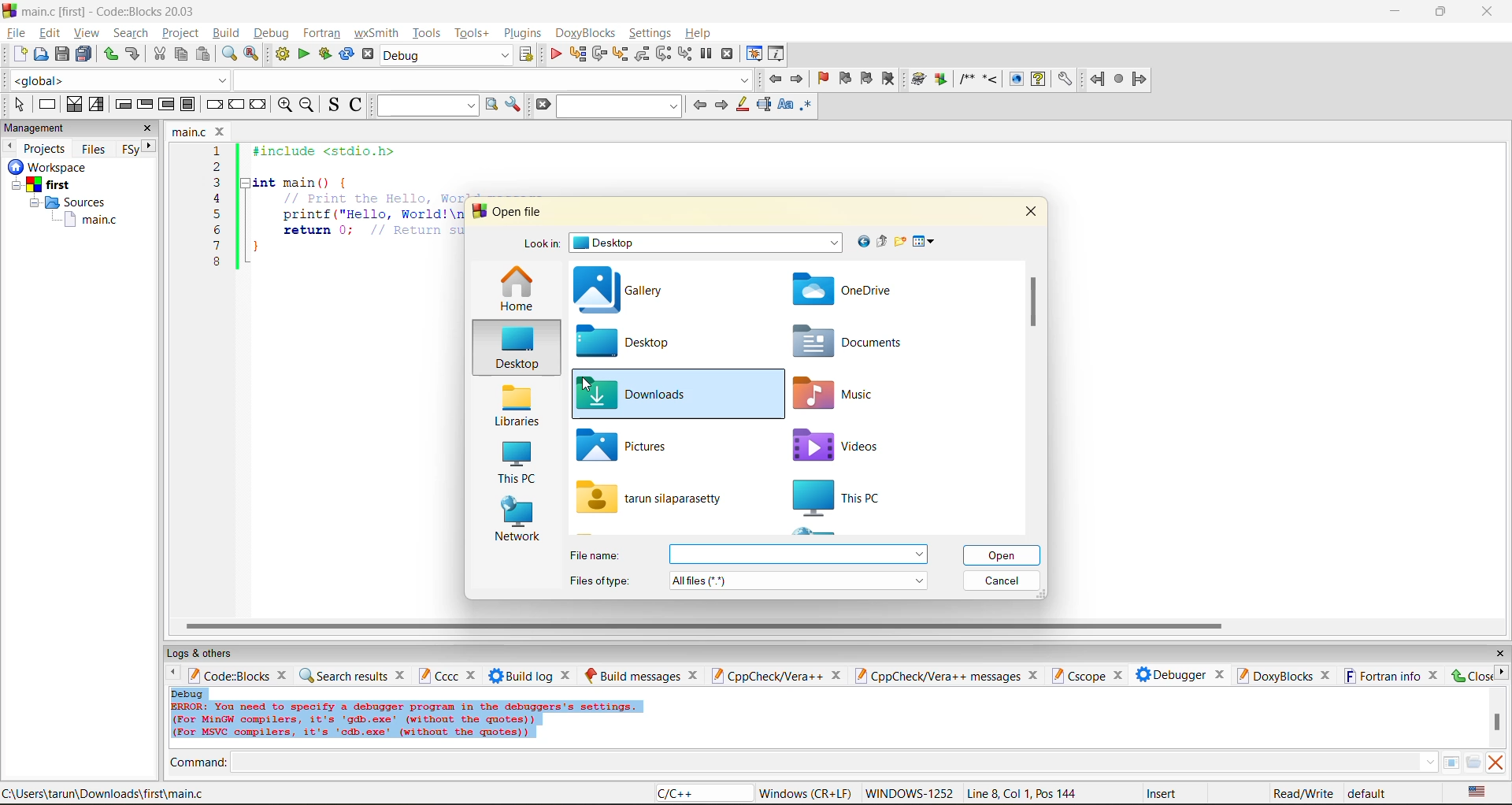 The image size is (1512, 805). Describe the element at coordinates (20, 54) in the screenshot. I see `new` at that location.